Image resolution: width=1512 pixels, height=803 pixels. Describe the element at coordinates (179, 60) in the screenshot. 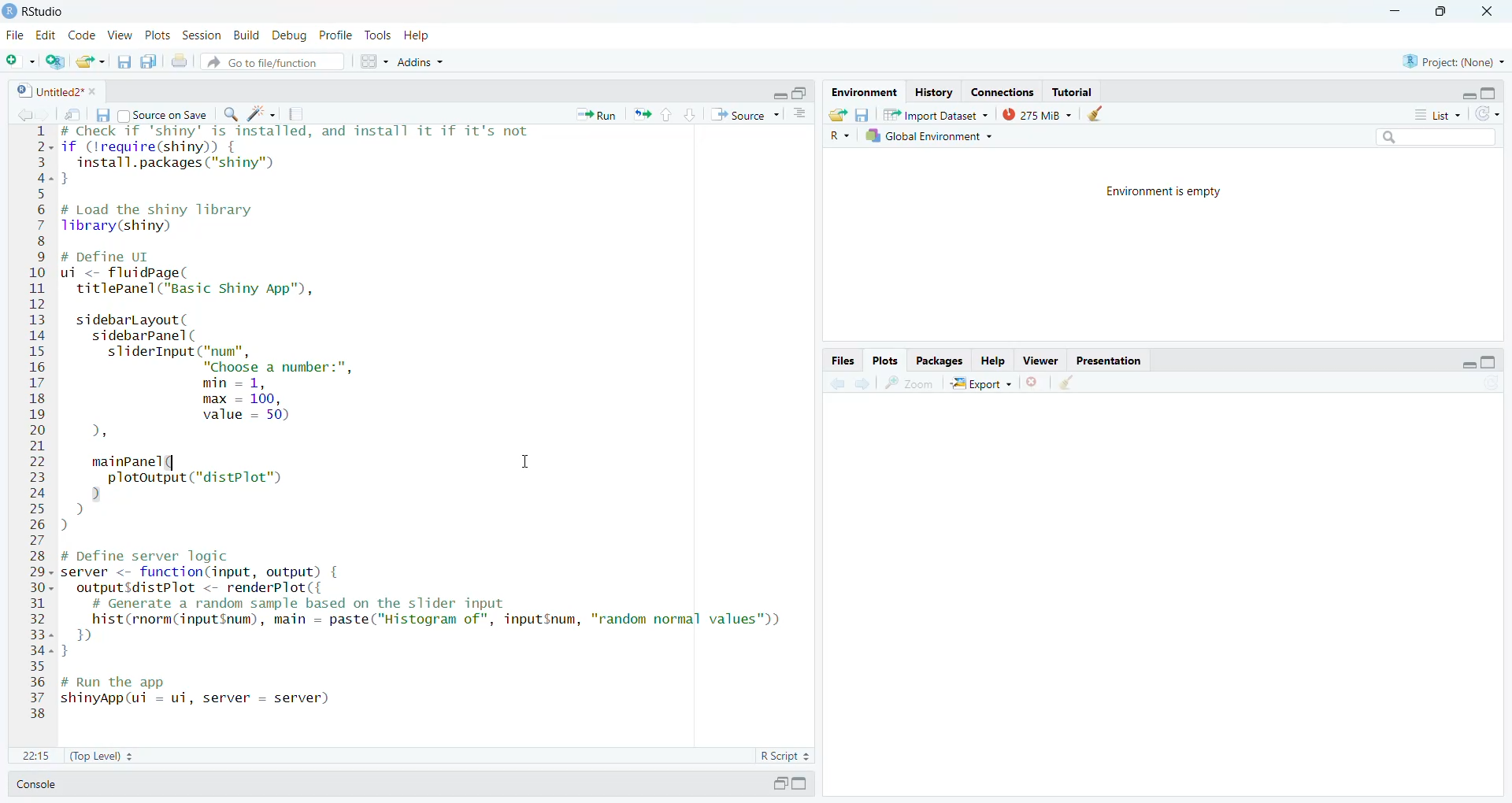

I see `print` at that location.